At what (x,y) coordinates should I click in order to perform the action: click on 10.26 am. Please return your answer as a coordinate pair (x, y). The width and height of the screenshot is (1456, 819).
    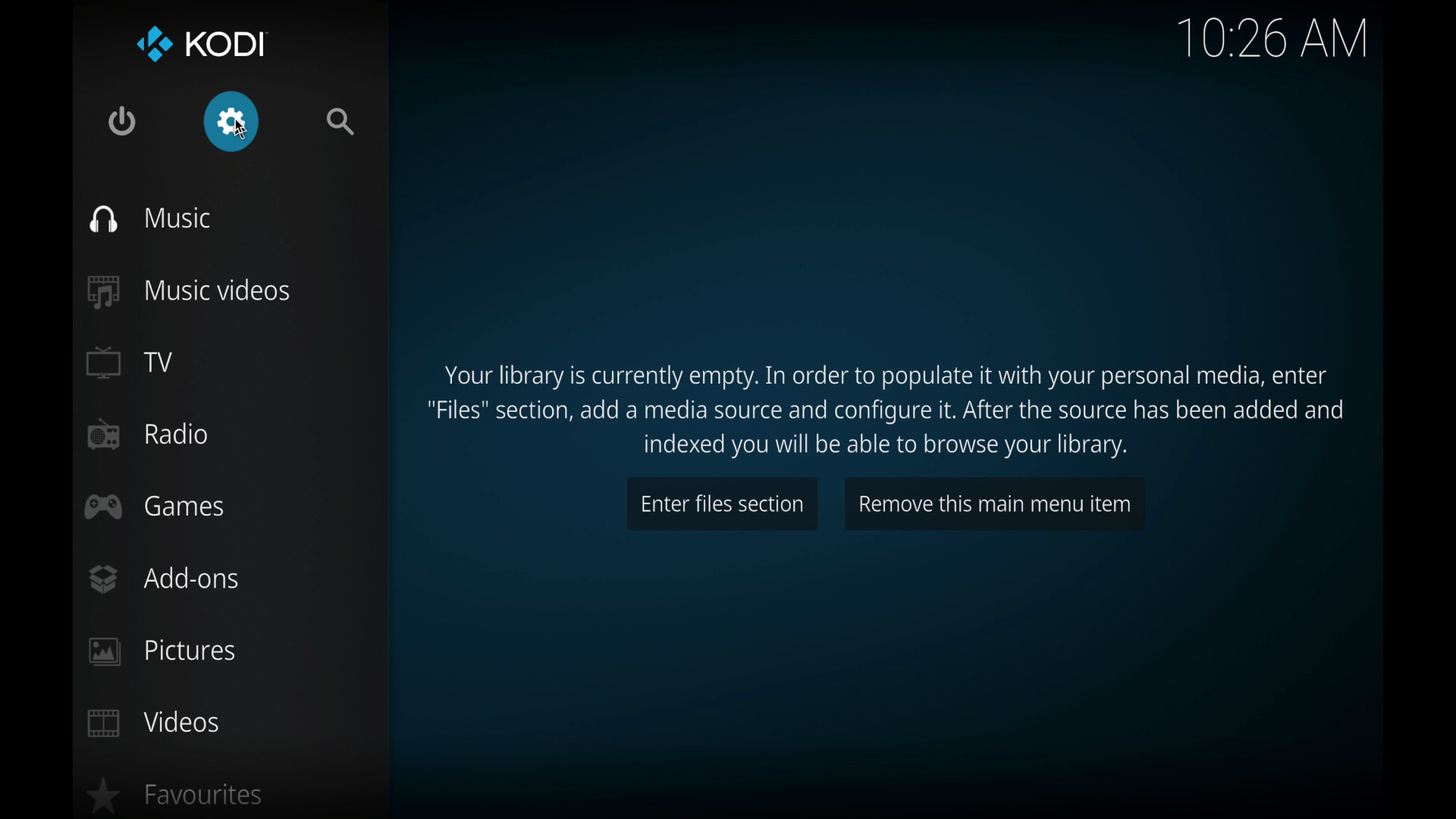
    Looking at the image, I should click on (1275, 39).